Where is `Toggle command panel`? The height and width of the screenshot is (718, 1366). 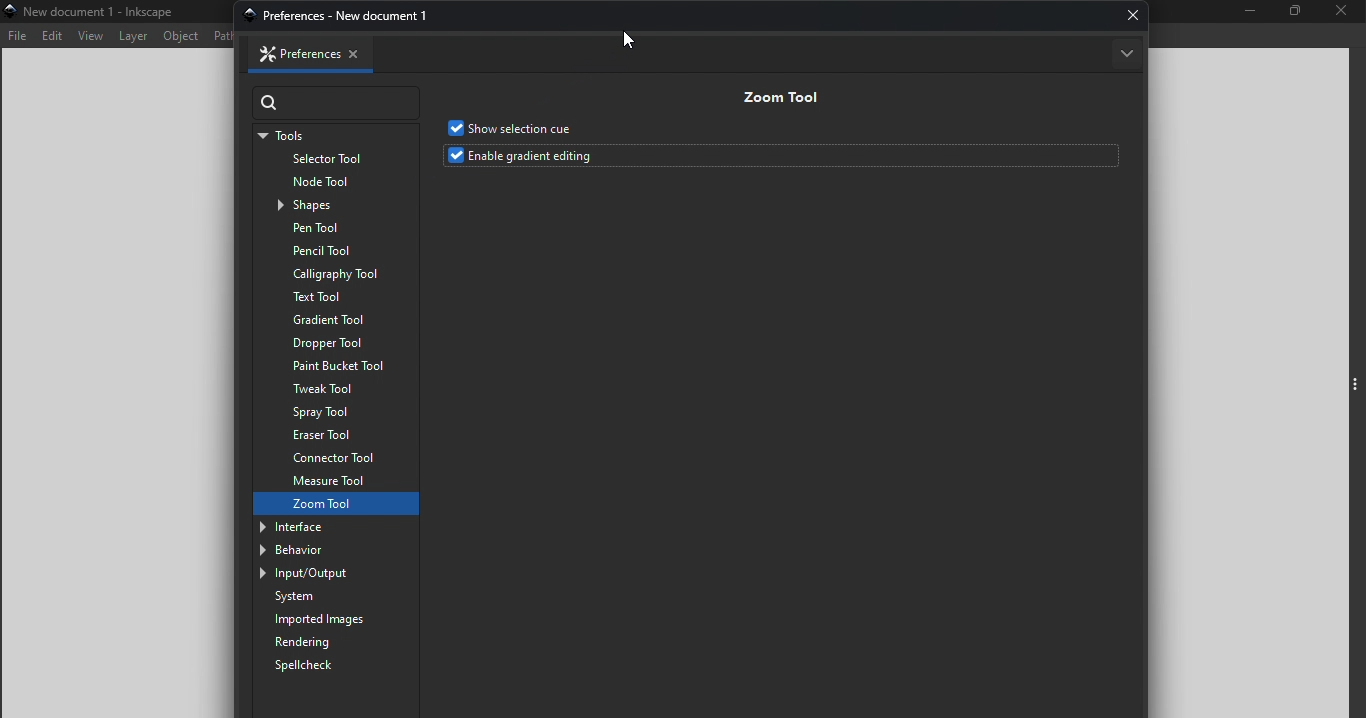 Toggle command panel is located at coordinates (1355, 383).